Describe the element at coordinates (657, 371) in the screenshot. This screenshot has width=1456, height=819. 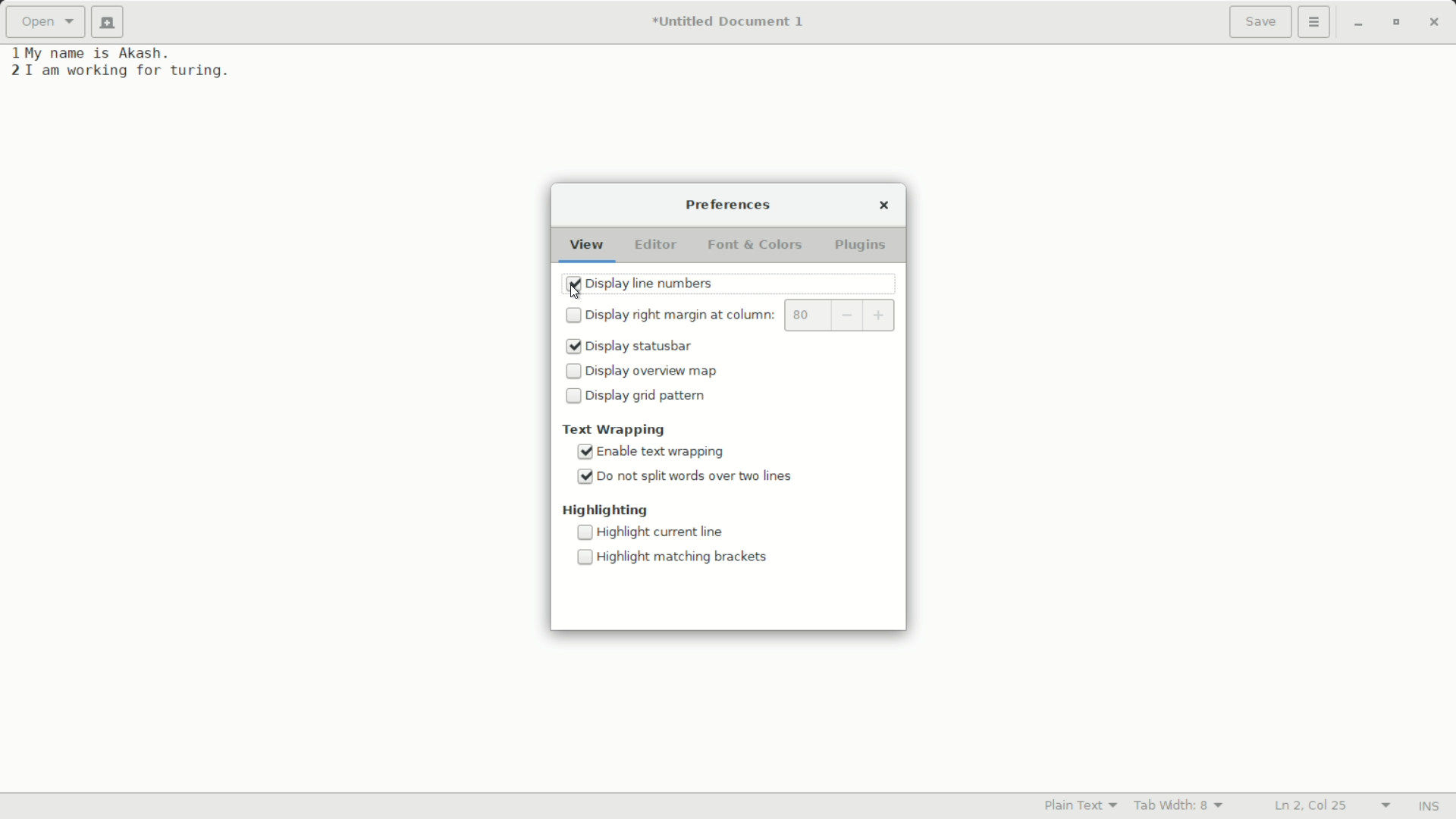
I see `display overview map` at that location.